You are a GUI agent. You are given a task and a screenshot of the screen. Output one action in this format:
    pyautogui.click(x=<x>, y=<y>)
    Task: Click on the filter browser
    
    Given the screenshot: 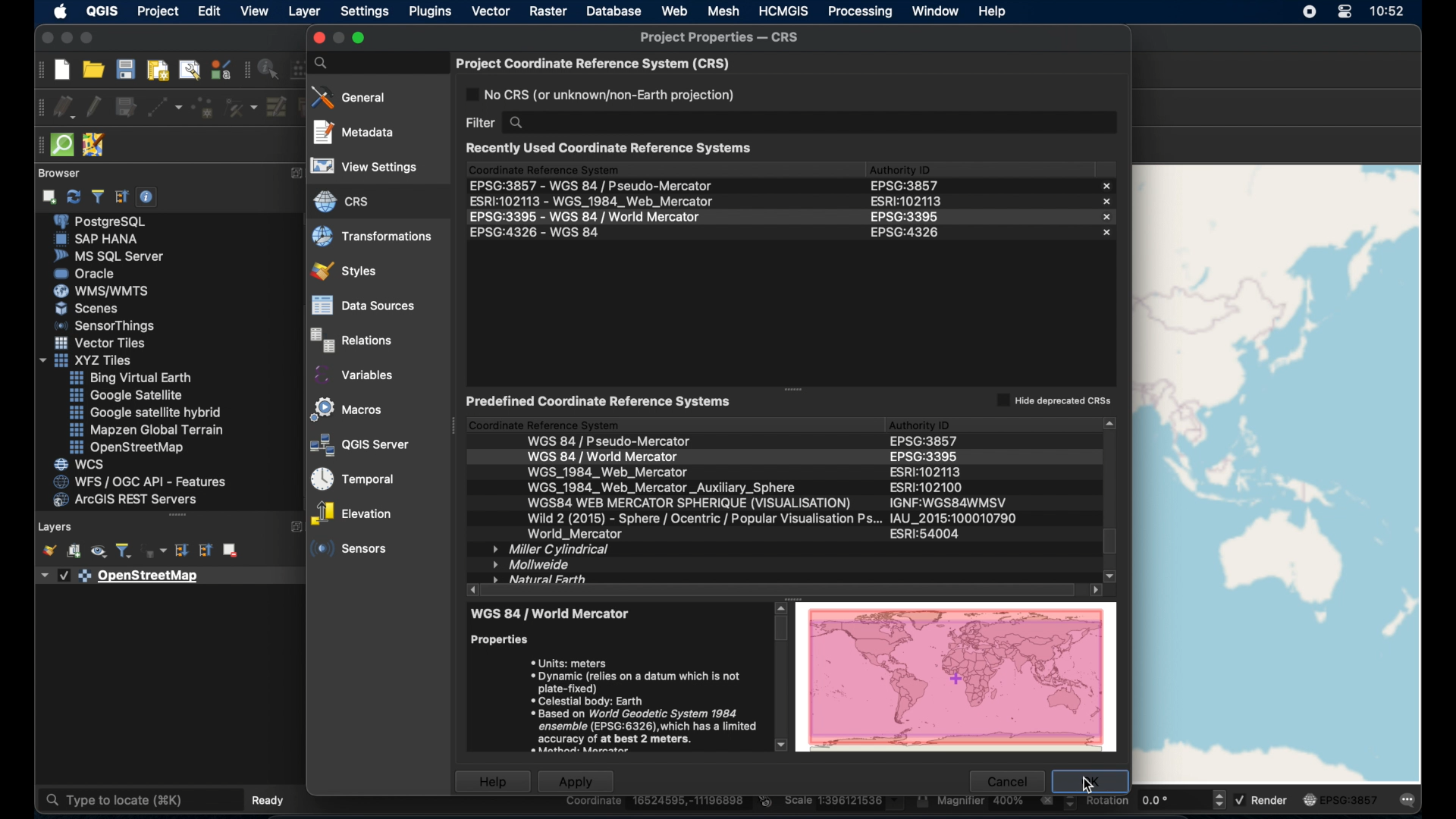 What is the action you would take?
    pyautogui.click(x=96, y=197)
    